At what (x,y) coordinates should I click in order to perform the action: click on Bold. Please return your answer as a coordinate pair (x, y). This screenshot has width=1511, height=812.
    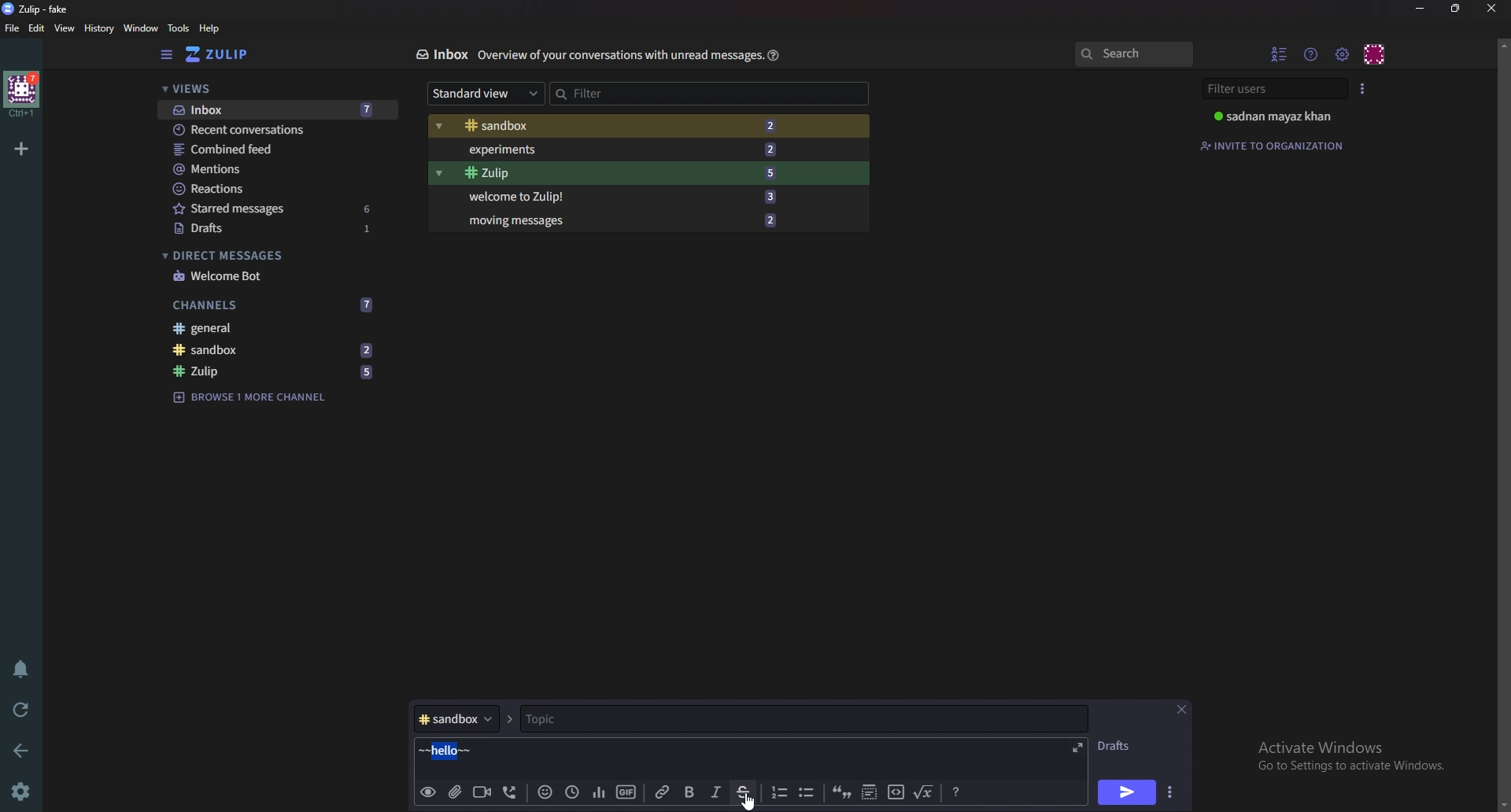
    Looking at the image, I should click on (687, 794).